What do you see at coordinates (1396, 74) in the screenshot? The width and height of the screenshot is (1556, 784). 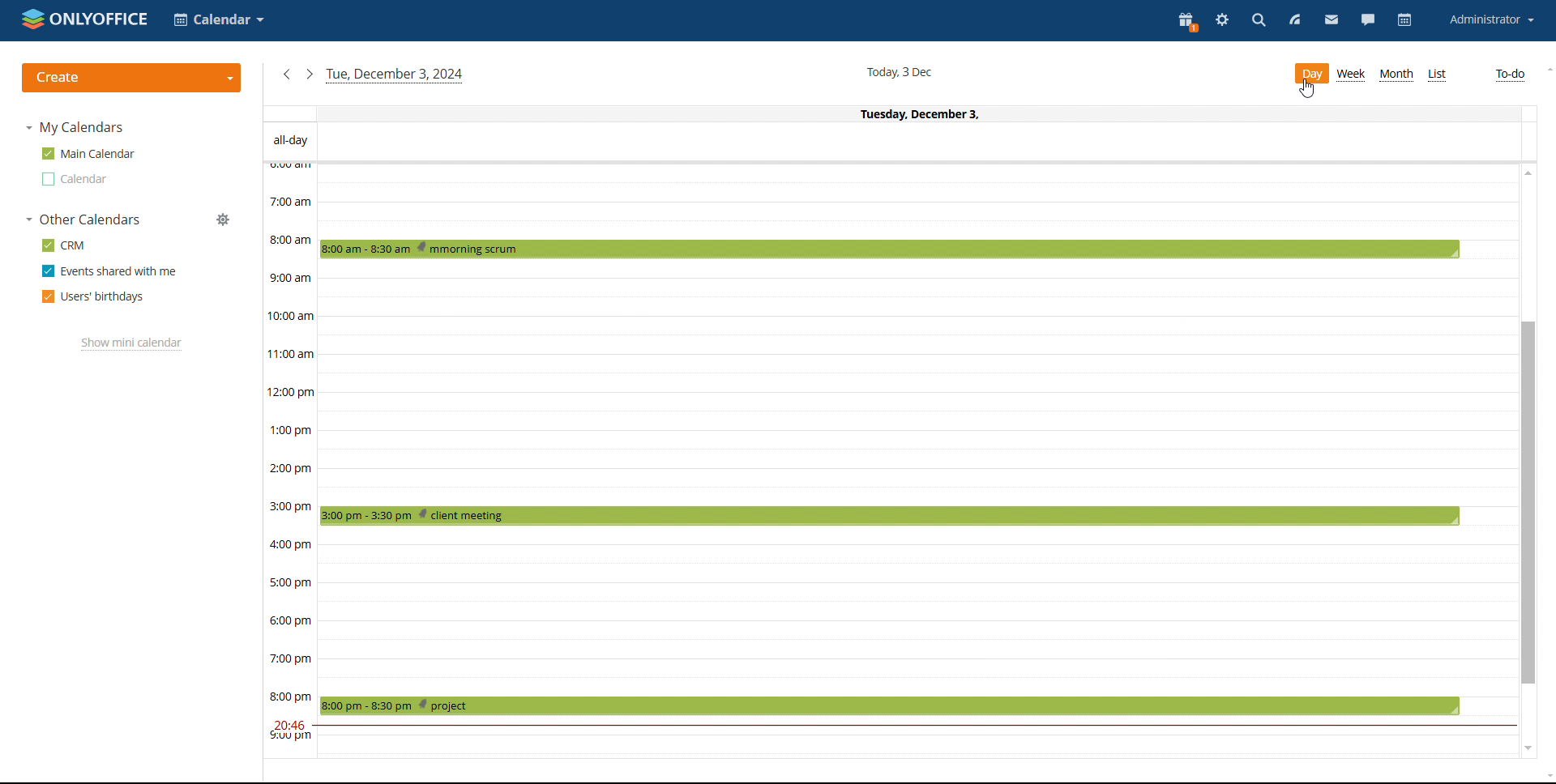 I see `month view` at bounding box center [1396, 74].